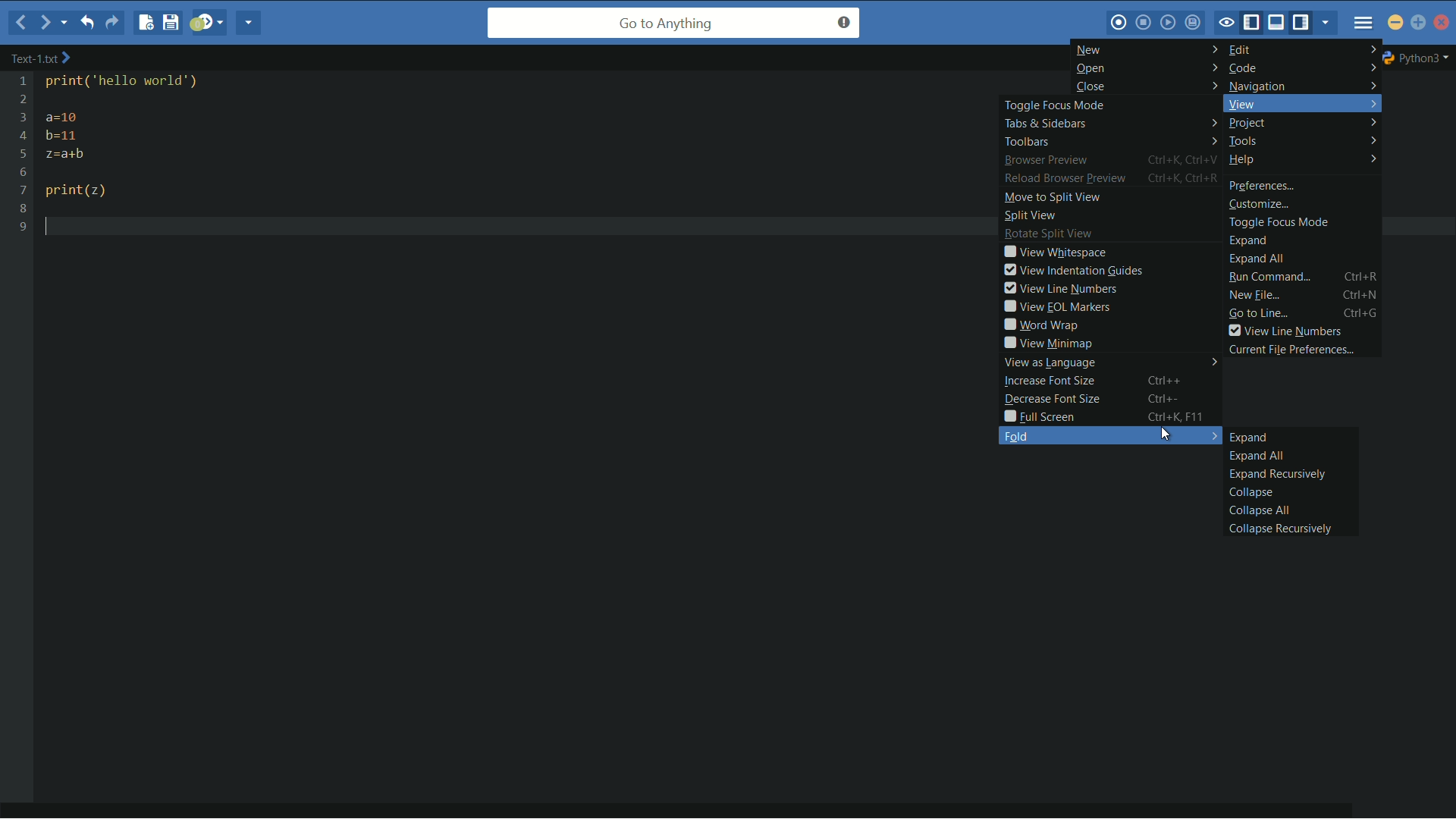 Image resolution: width=1456 pixels, height=819 pixels. Describe the element at coordinates (41, 58) in the screenshot. I see `text-2.txt` at that location.